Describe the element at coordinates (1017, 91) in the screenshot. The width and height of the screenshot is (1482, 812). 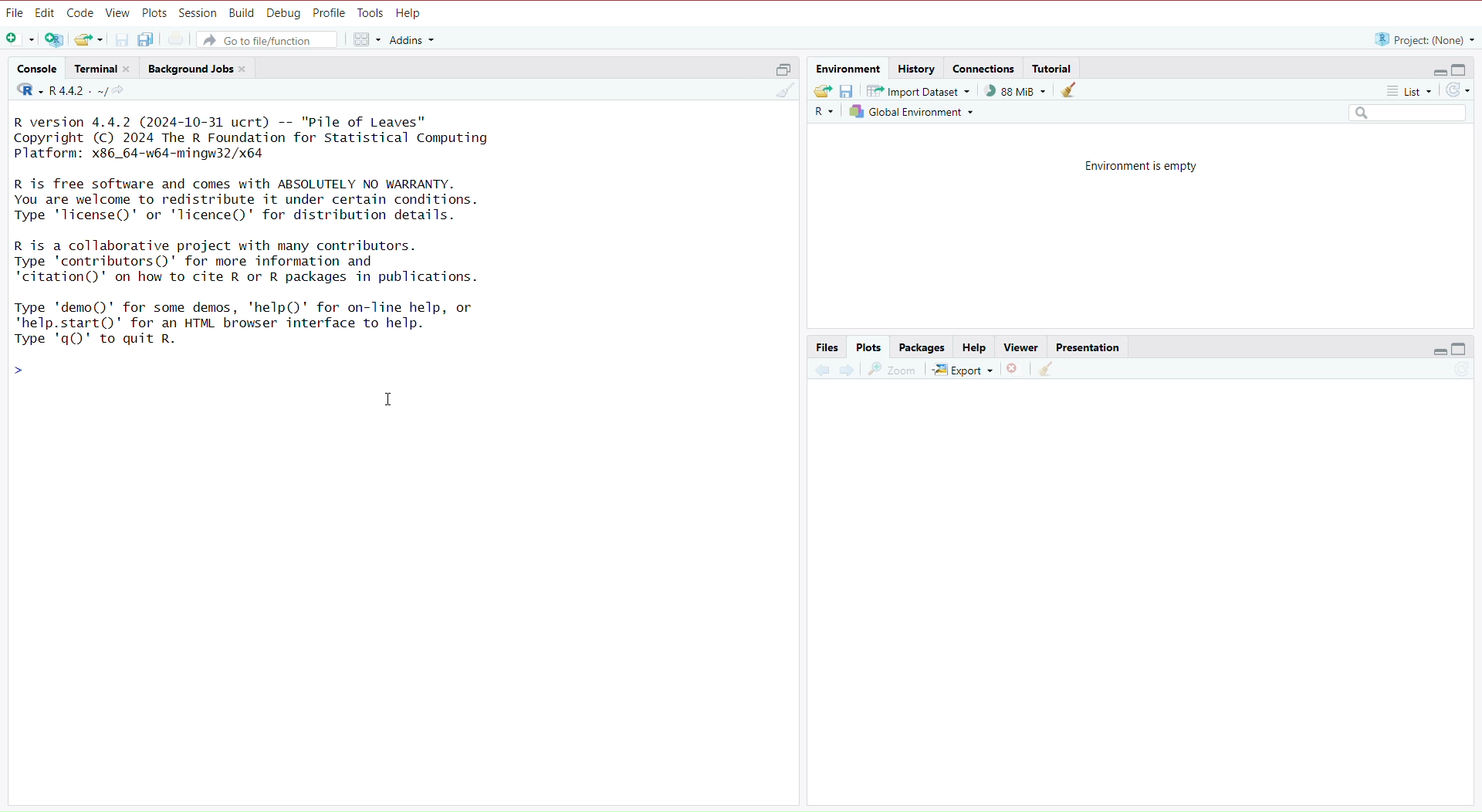
I see `88mb` at that location.